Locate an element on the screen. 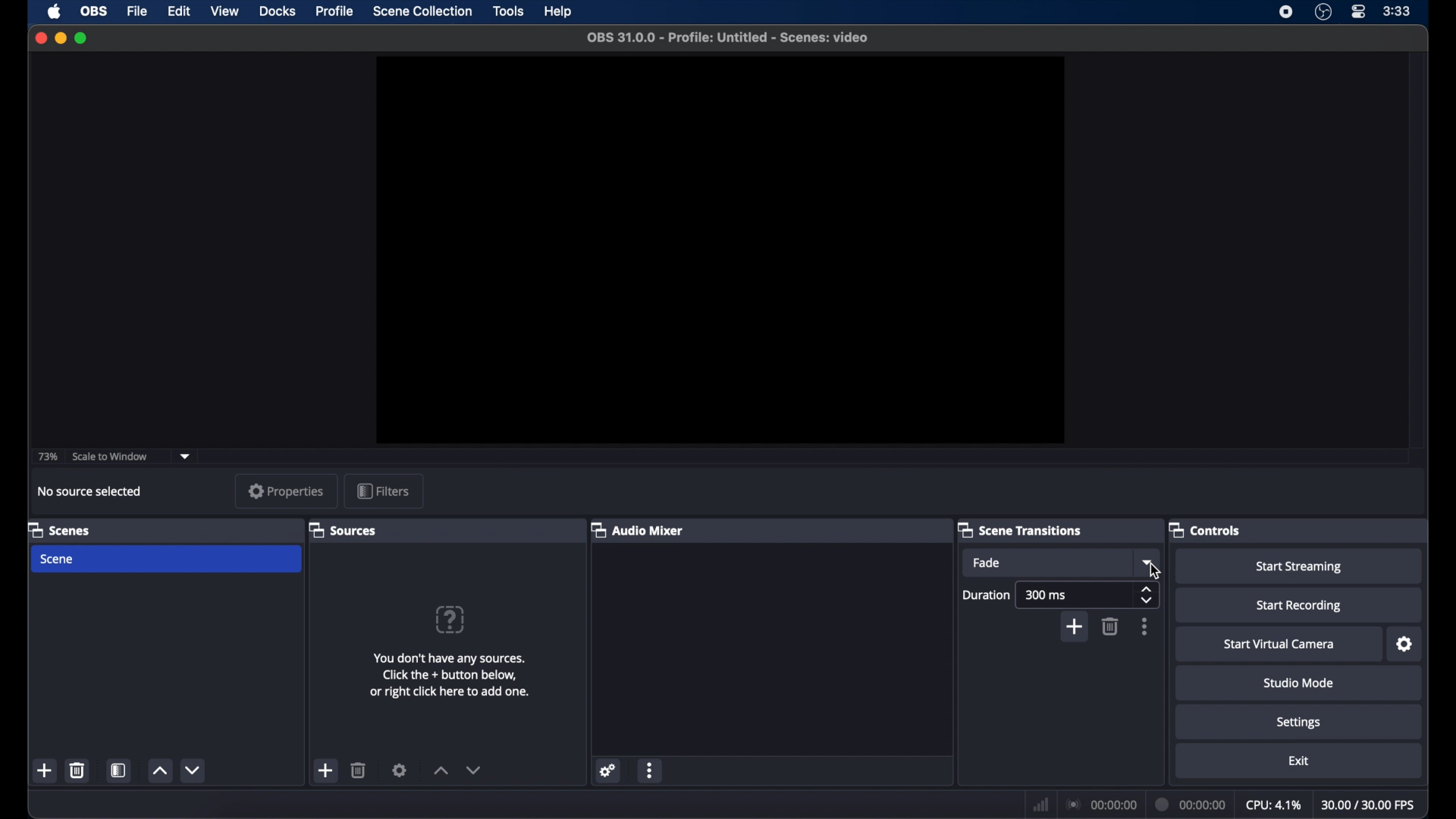 This screenshot has width=1456, height=819. start recording is located at coordinates (1300, 606).